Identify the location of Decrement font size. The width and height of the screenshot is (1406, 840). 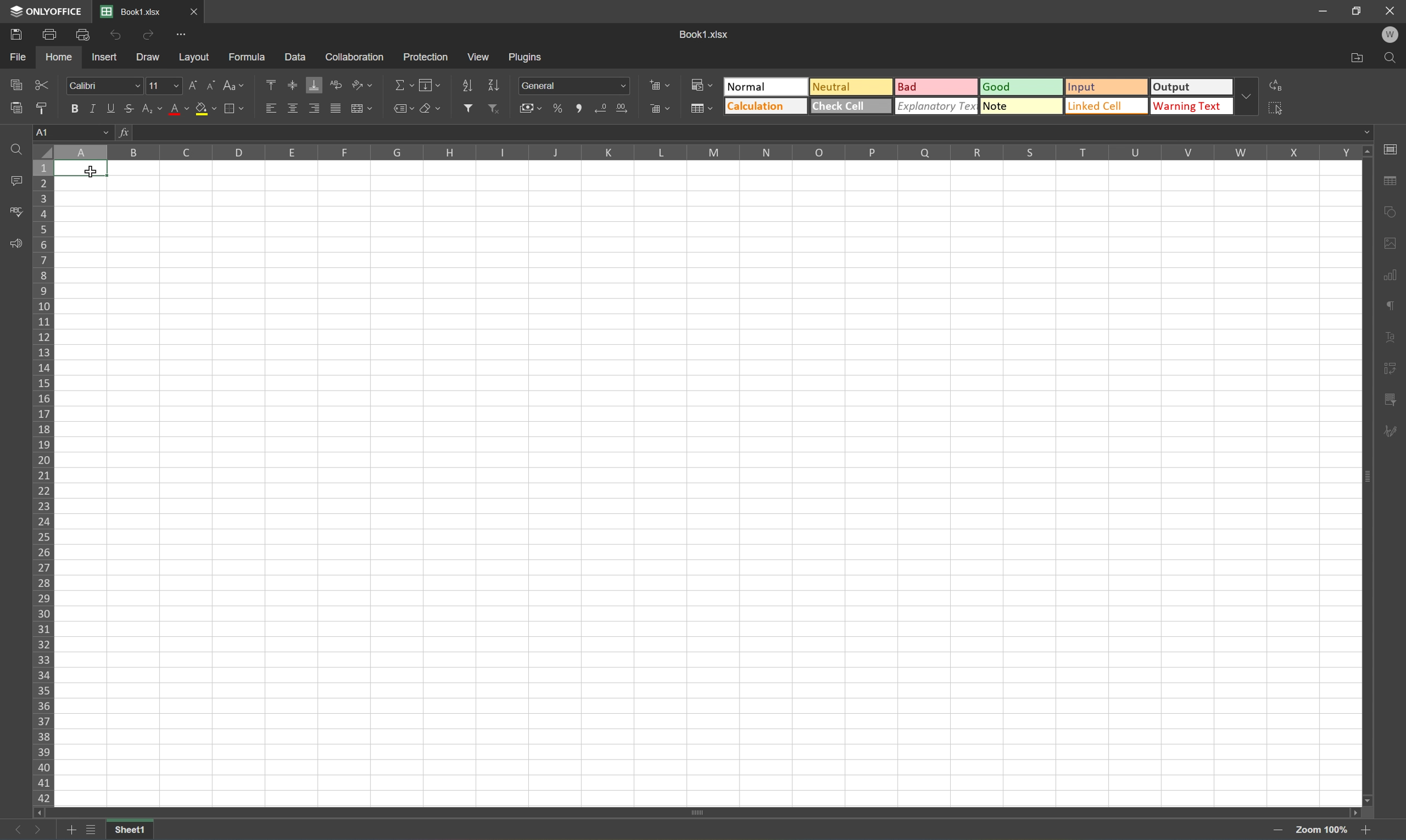
(212, 87).